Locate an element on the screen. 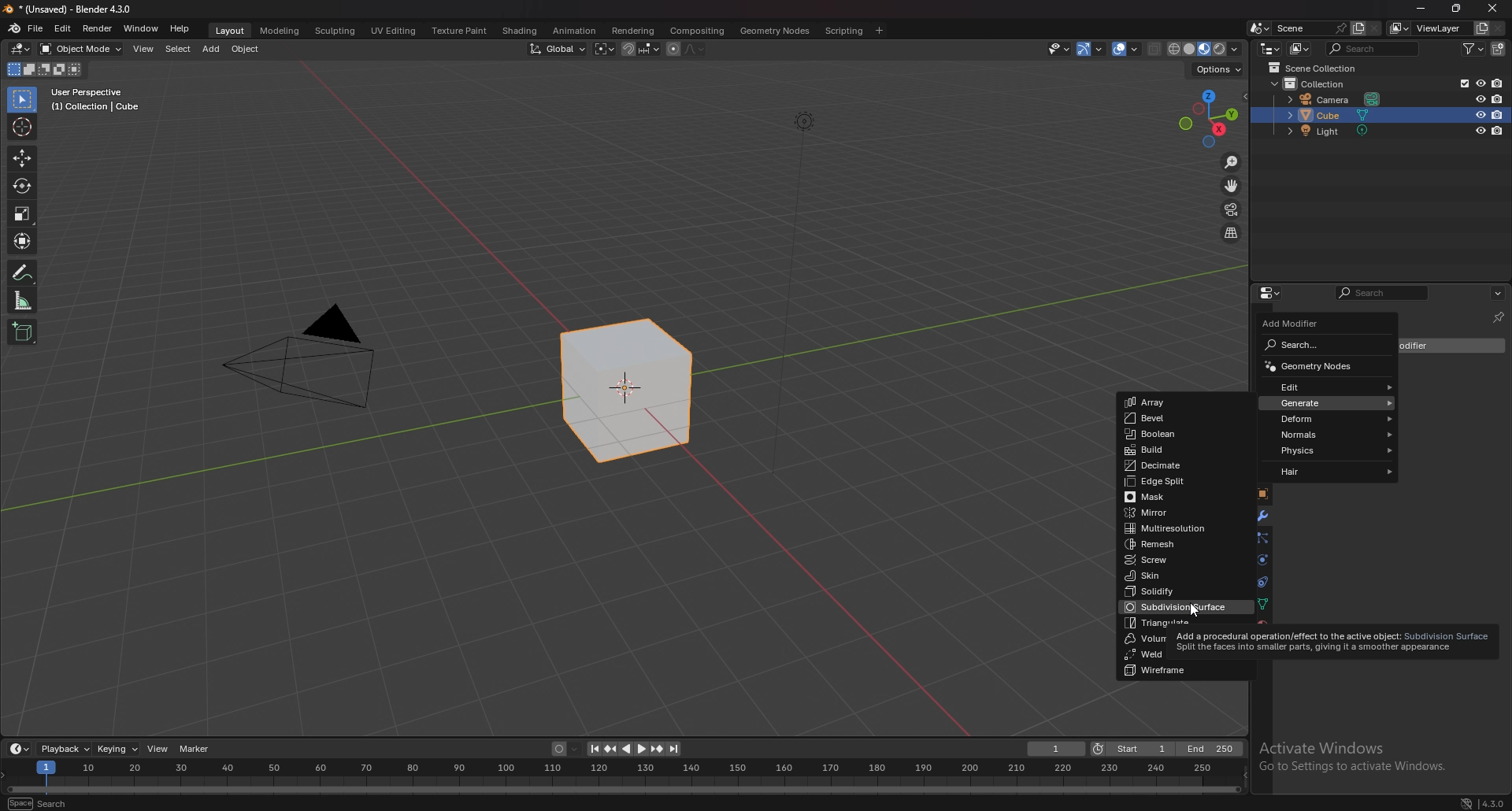  cursor is located at coordinates (22, 126).